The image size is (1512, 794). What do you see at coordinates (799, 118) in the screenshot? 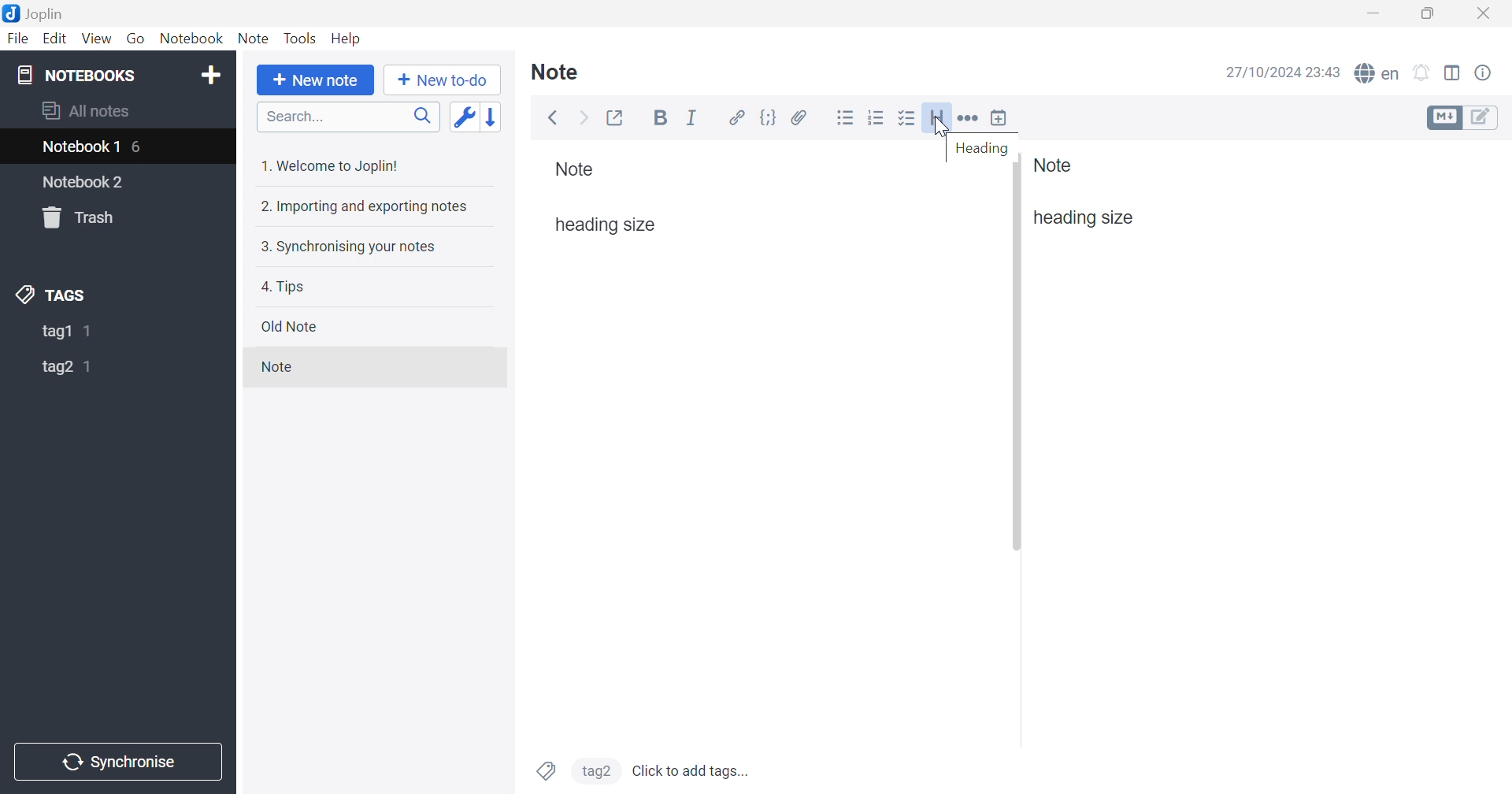
I see `Attach file` at bounding box center [799, 118].